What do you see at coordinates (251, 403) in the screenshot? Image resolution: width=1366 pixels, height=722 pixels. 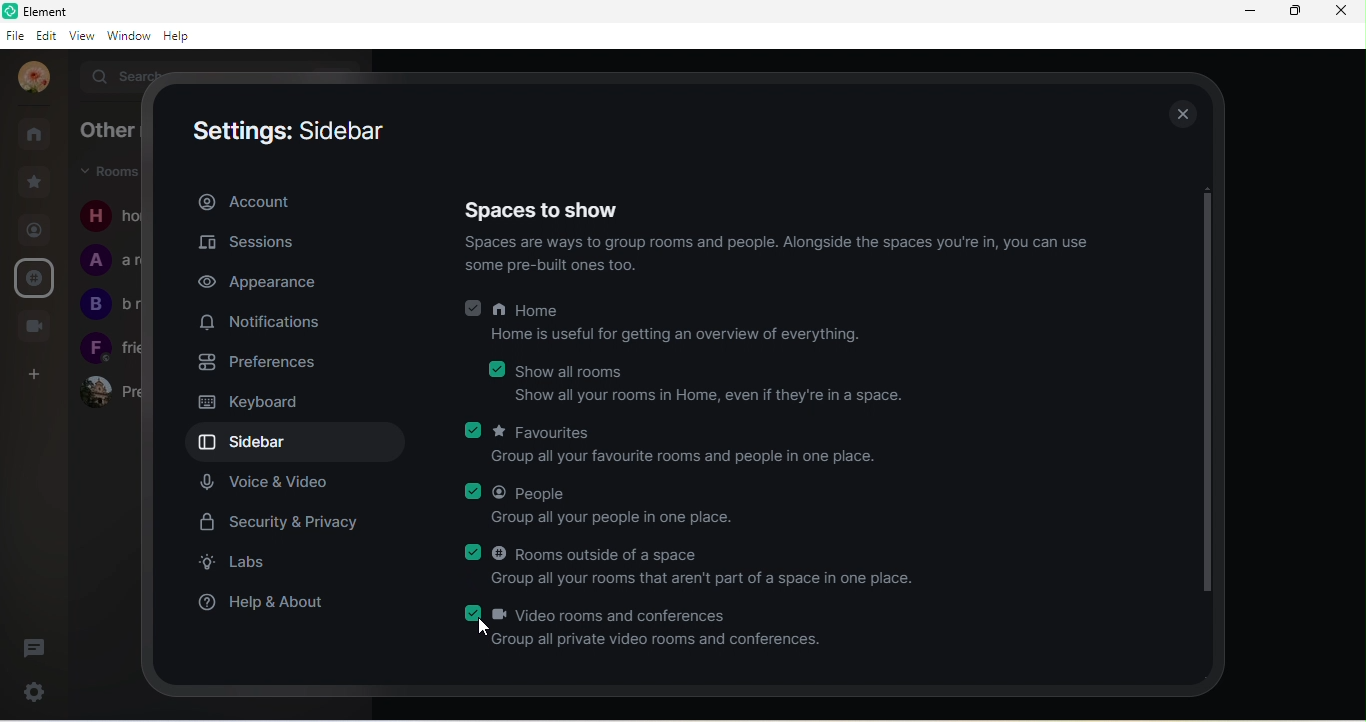 I see `keyboard` at bounding box center [251, 403].